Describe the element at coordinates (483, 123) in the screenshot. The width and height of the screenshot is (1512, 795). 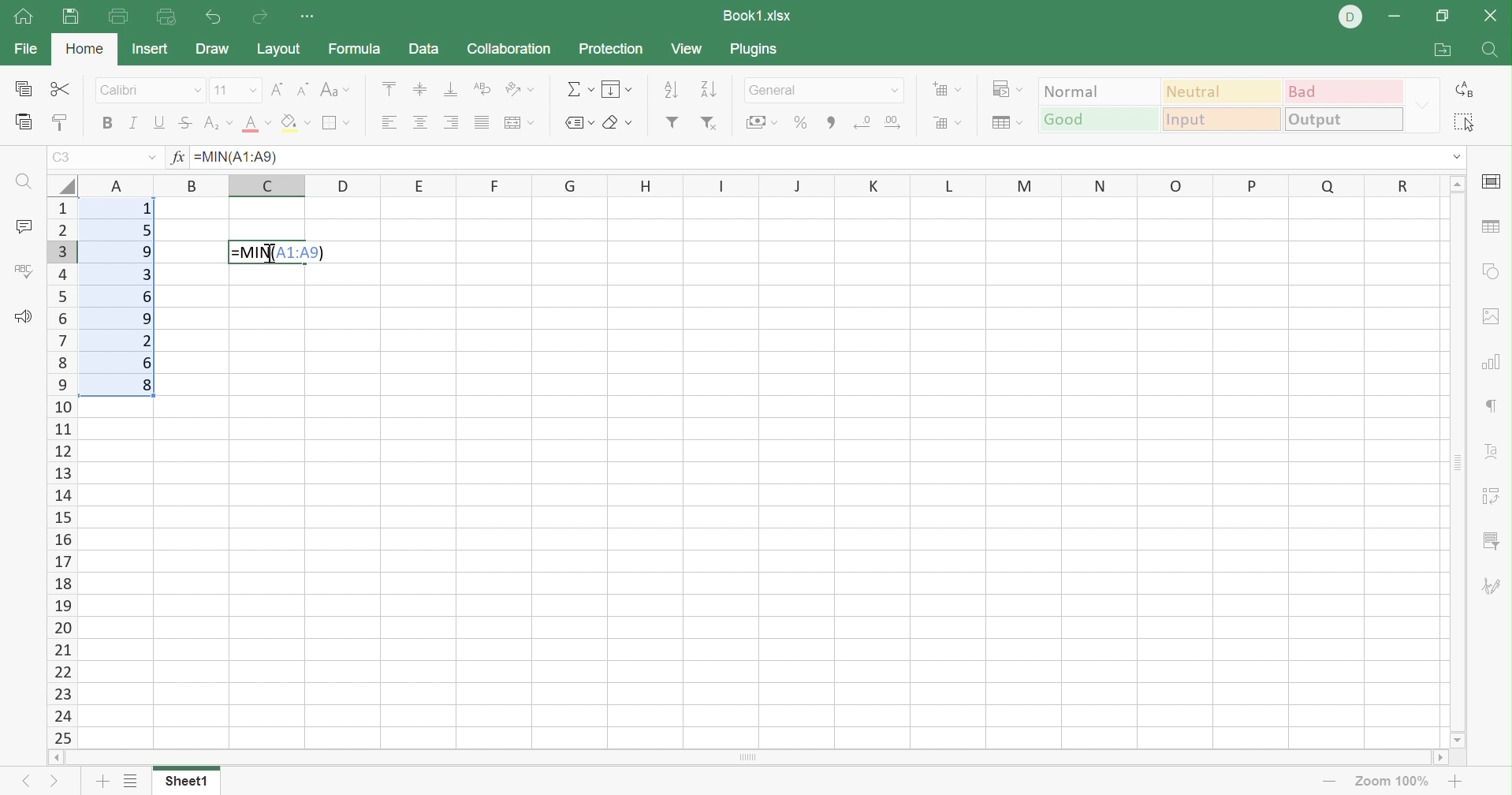
I see `Justified` at that location.